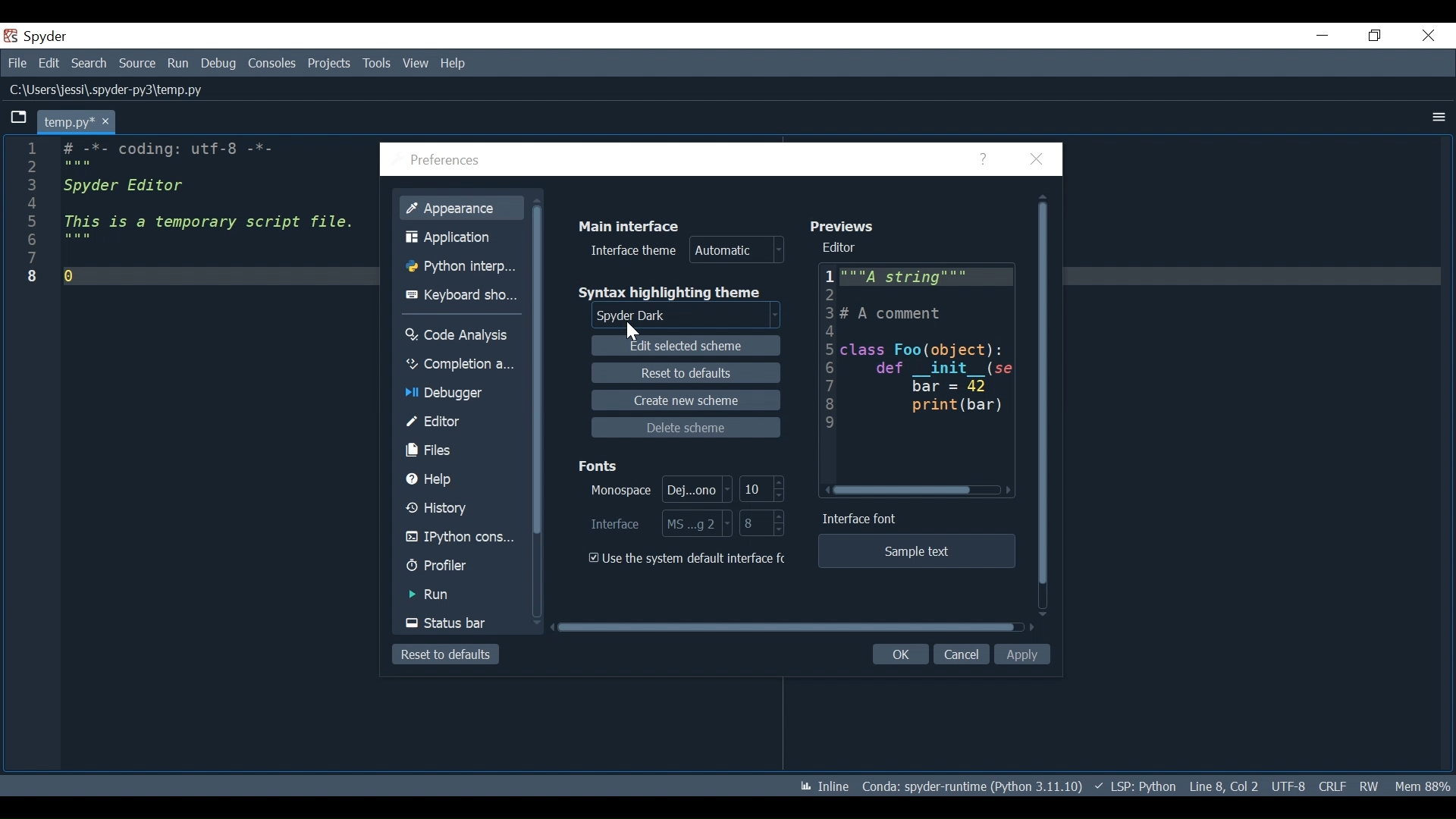  Describe the element at coordinates (51, 63) in the screenshot. I see `Edit` at that location.